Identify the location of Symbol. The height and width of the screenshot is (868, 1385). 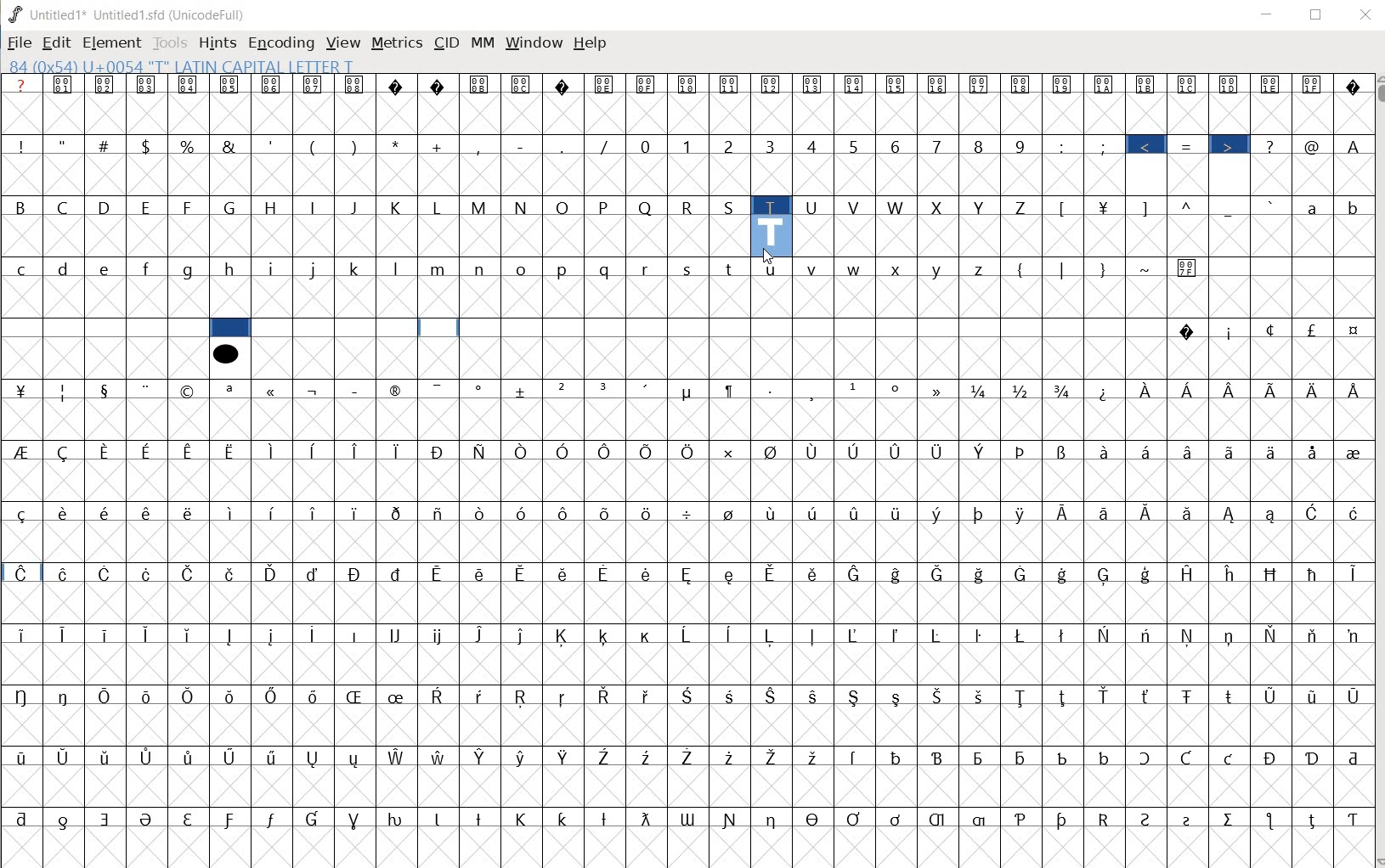
(190, 757).